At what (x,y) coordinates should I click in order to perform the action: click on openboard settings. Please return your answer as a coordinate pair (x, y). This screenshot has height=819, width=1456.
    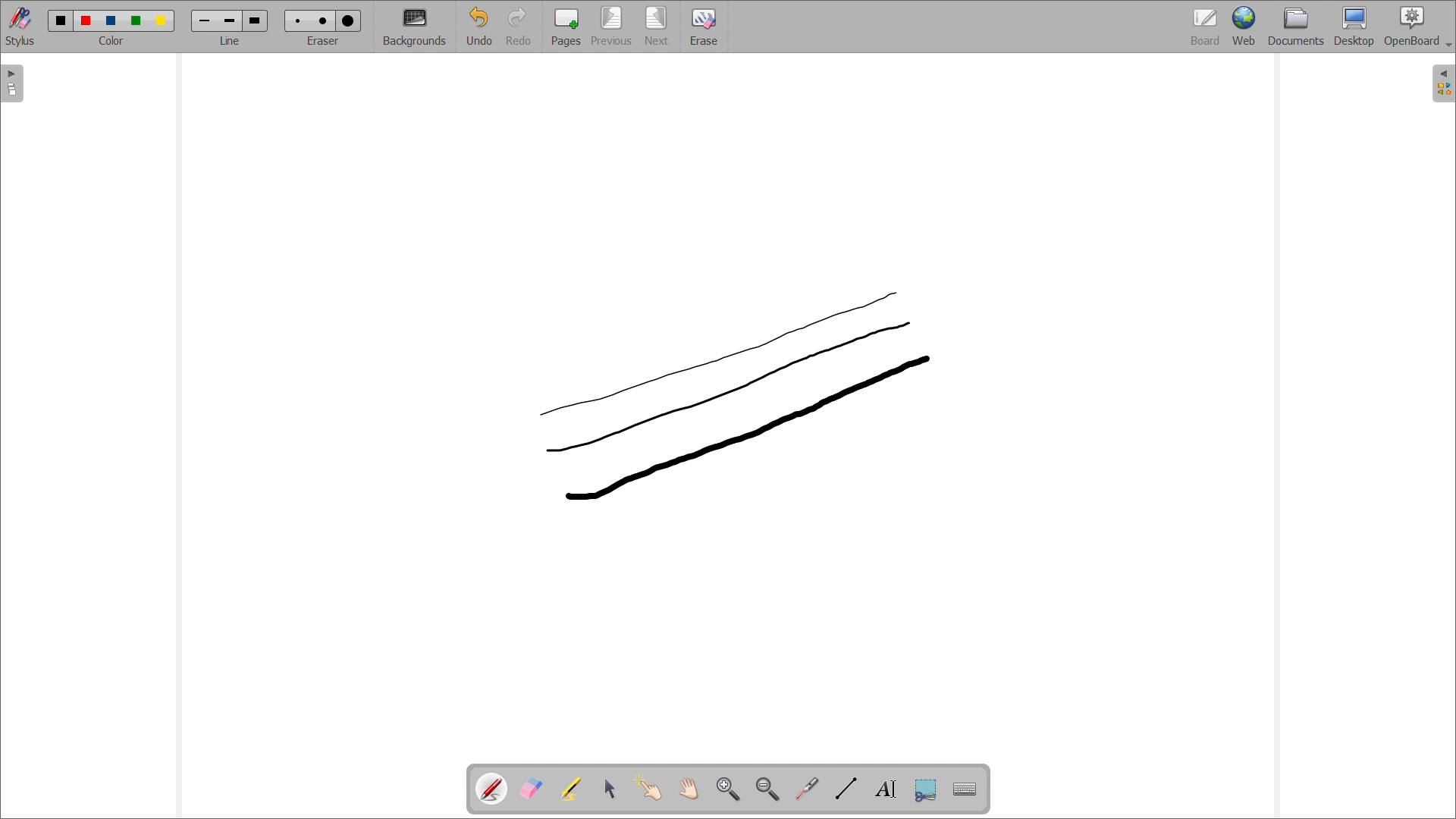
    Looking at the image, I should click on (1417, 27).